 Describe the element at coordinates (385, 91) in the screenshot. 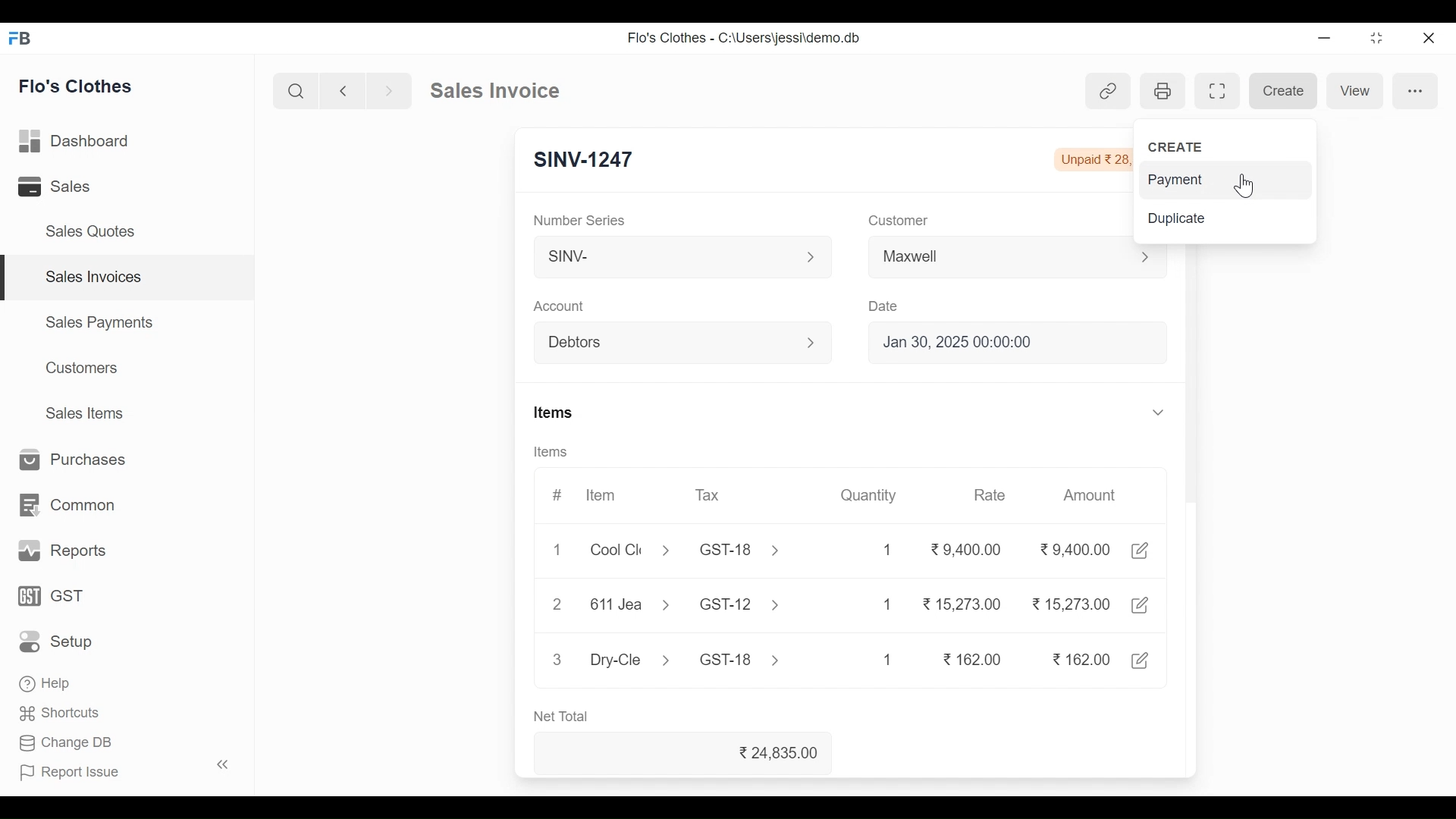

I see `Go Forward` at that location.